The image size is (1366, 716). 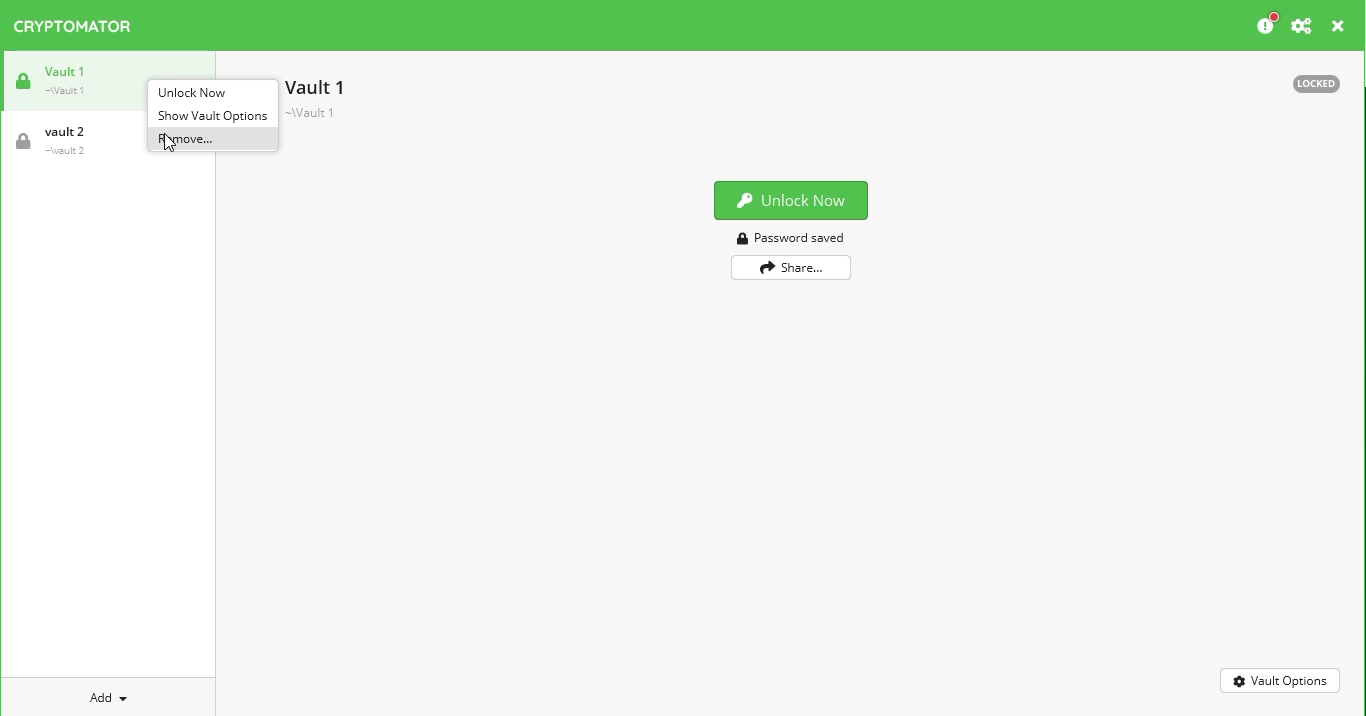 I want to click on show vault options, so click(x=212, y=115).